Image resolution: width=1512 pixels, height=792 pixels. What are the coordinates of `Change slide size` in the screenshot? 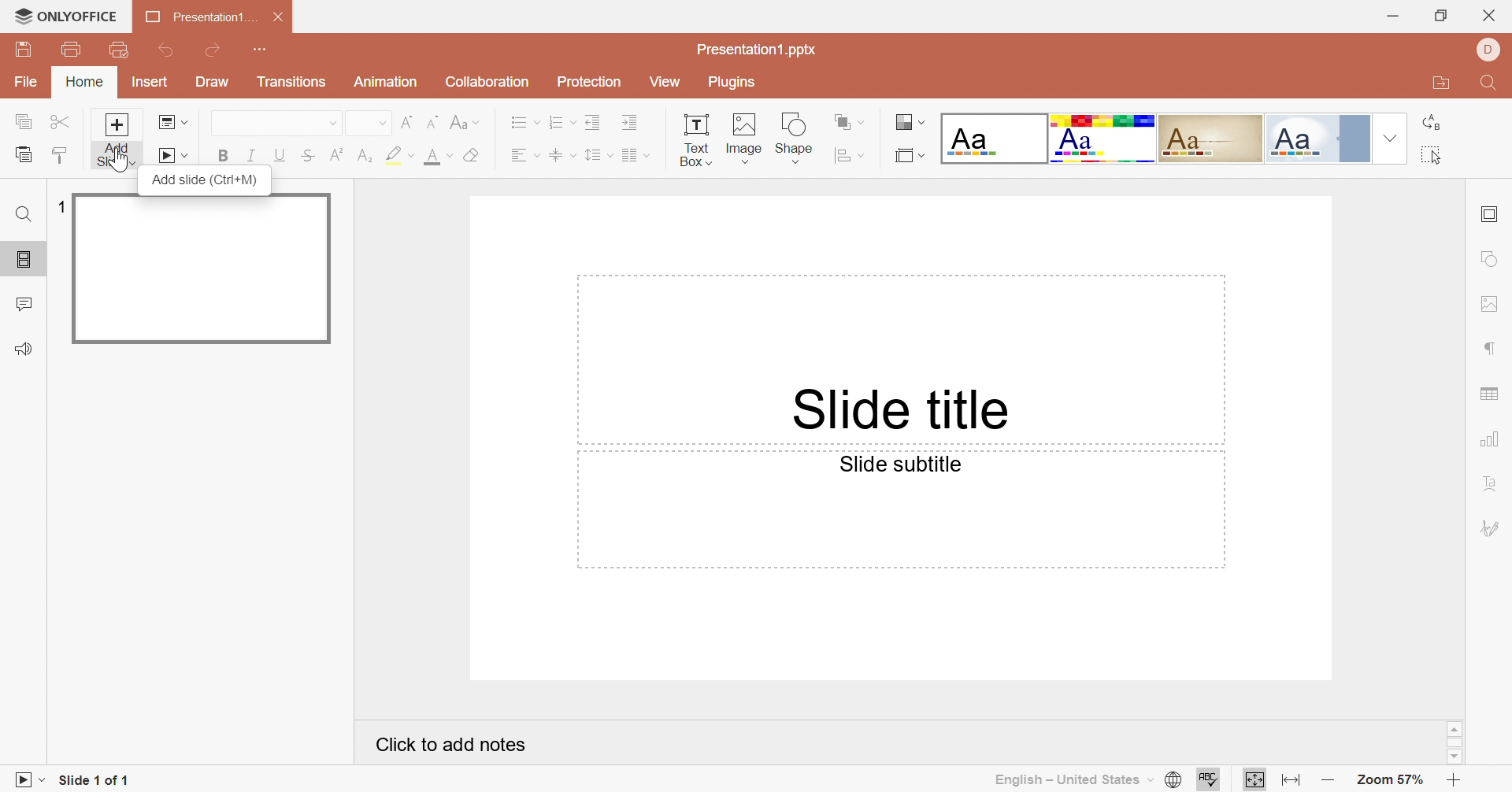 It's located at (911, 156).